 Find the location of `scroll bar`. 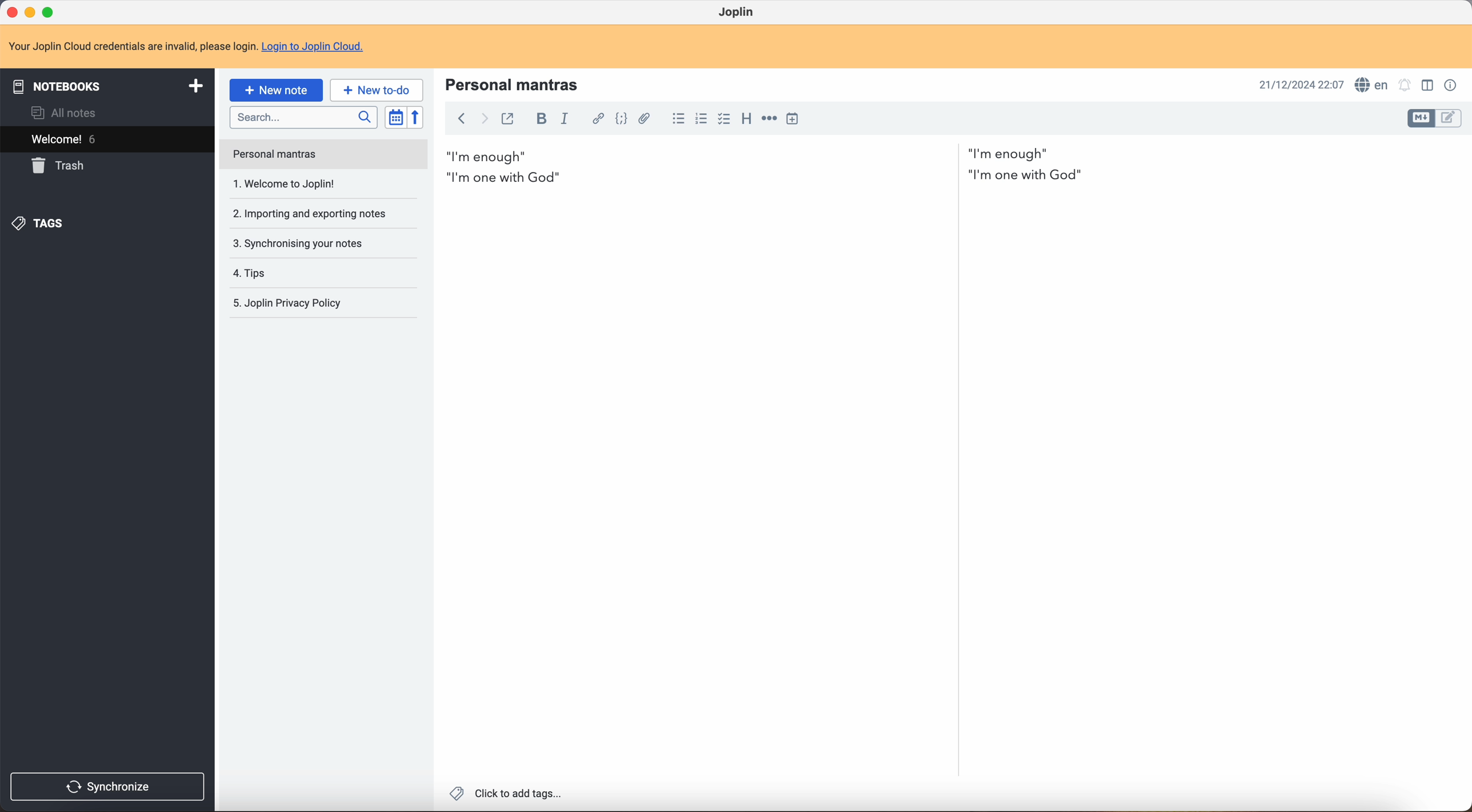

scroll bar is located at coordinates (1463, 360).